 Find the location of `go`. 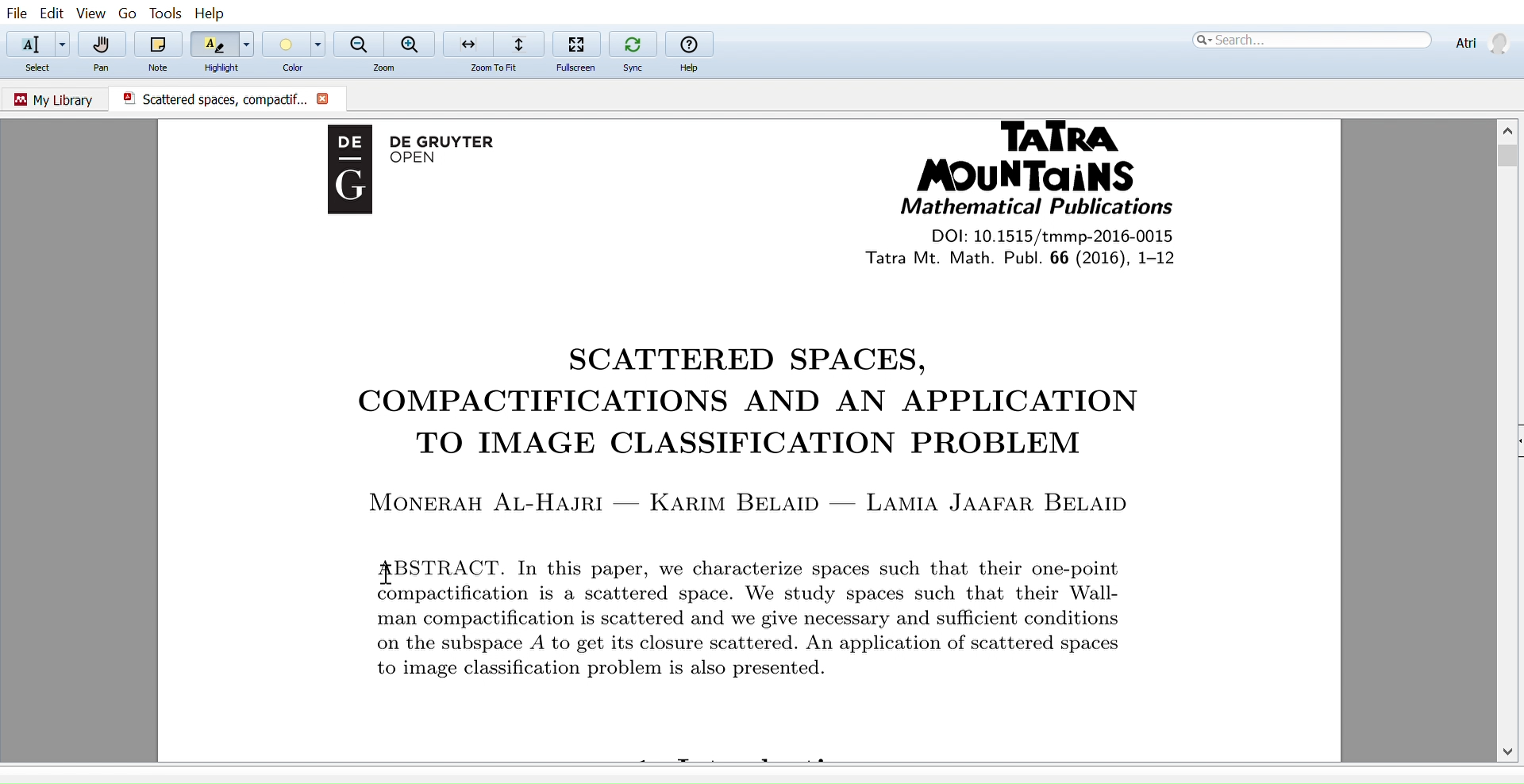

go is located at coordinates (128, 14).